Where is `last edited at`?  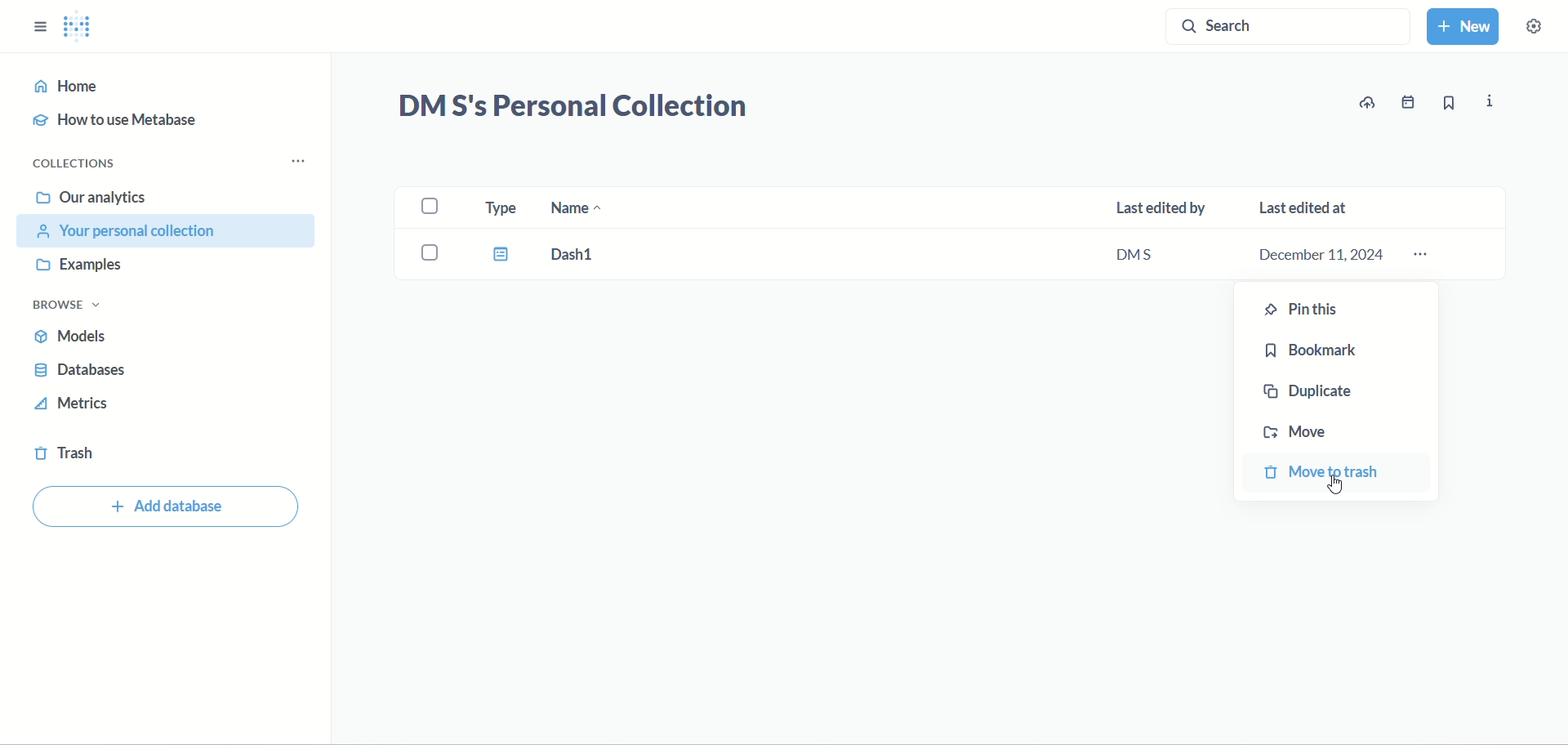
last edited at is located at coordinates (1312, 203).